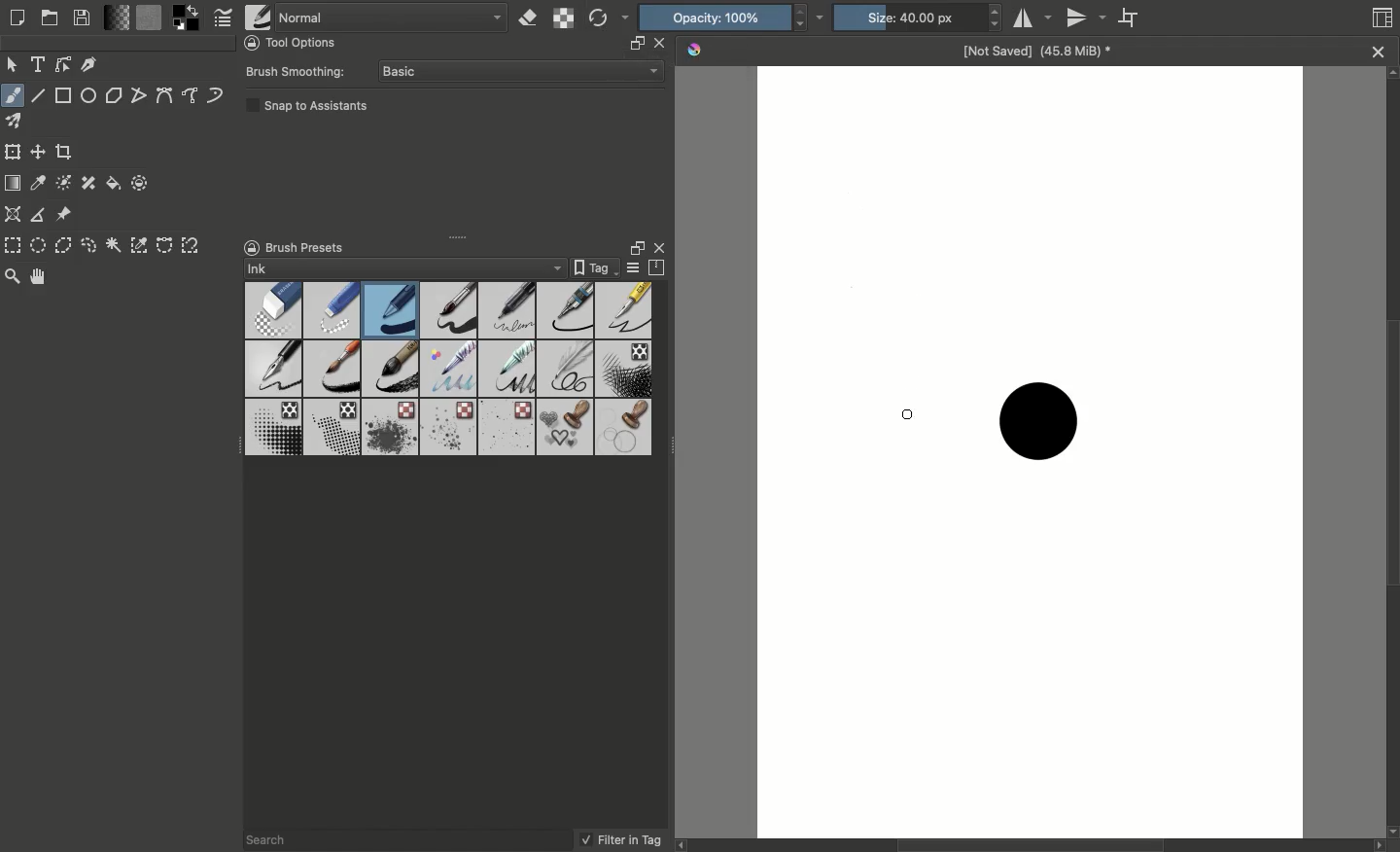 This screenshot has width=1400, height=852. Describe the element at coordinates (192, 96) in the screenshot. I see `Freehand path` at that location.